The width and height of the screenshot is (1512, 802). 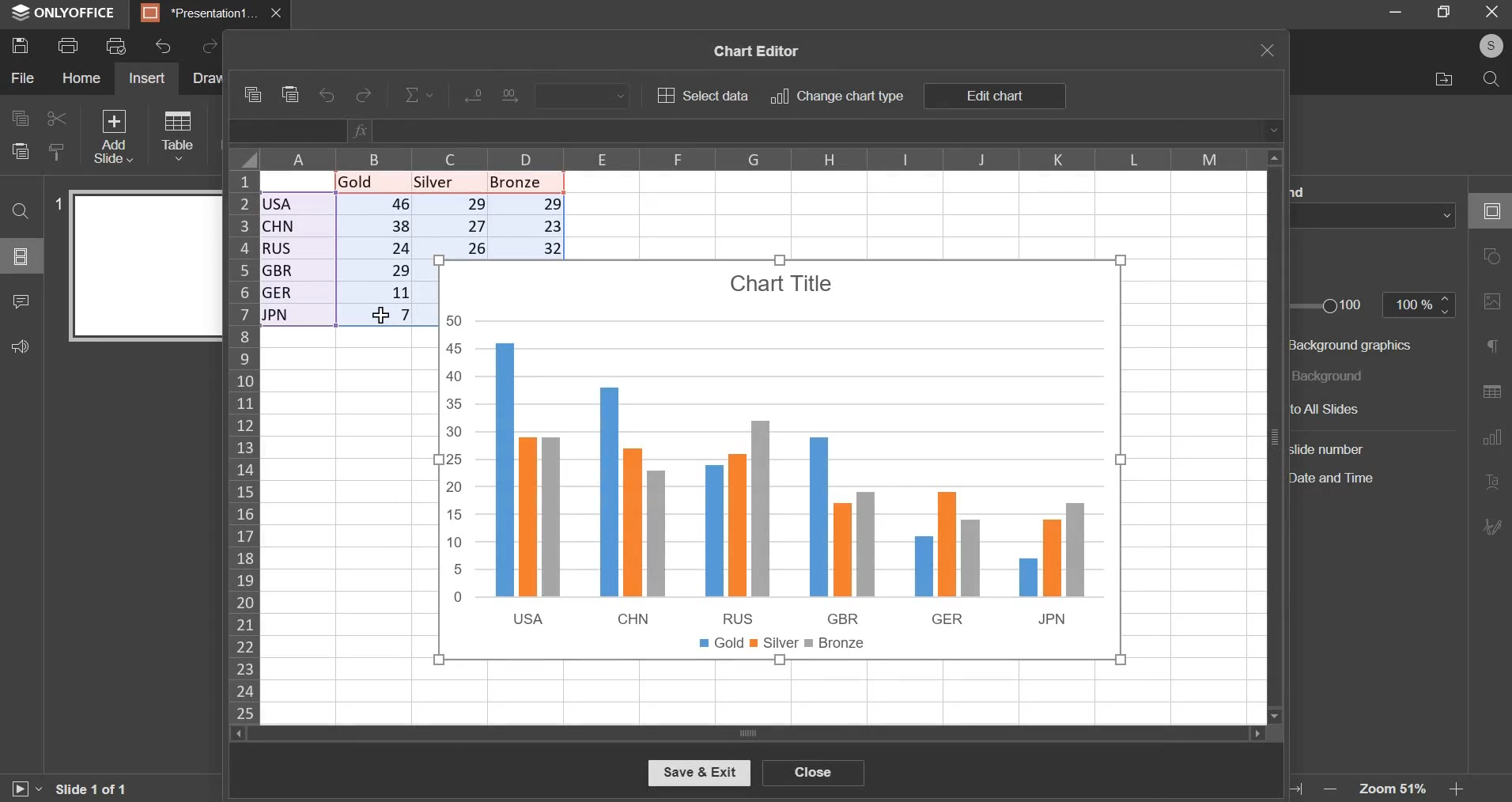 I want to click on 27, so click(x=453, y=226).